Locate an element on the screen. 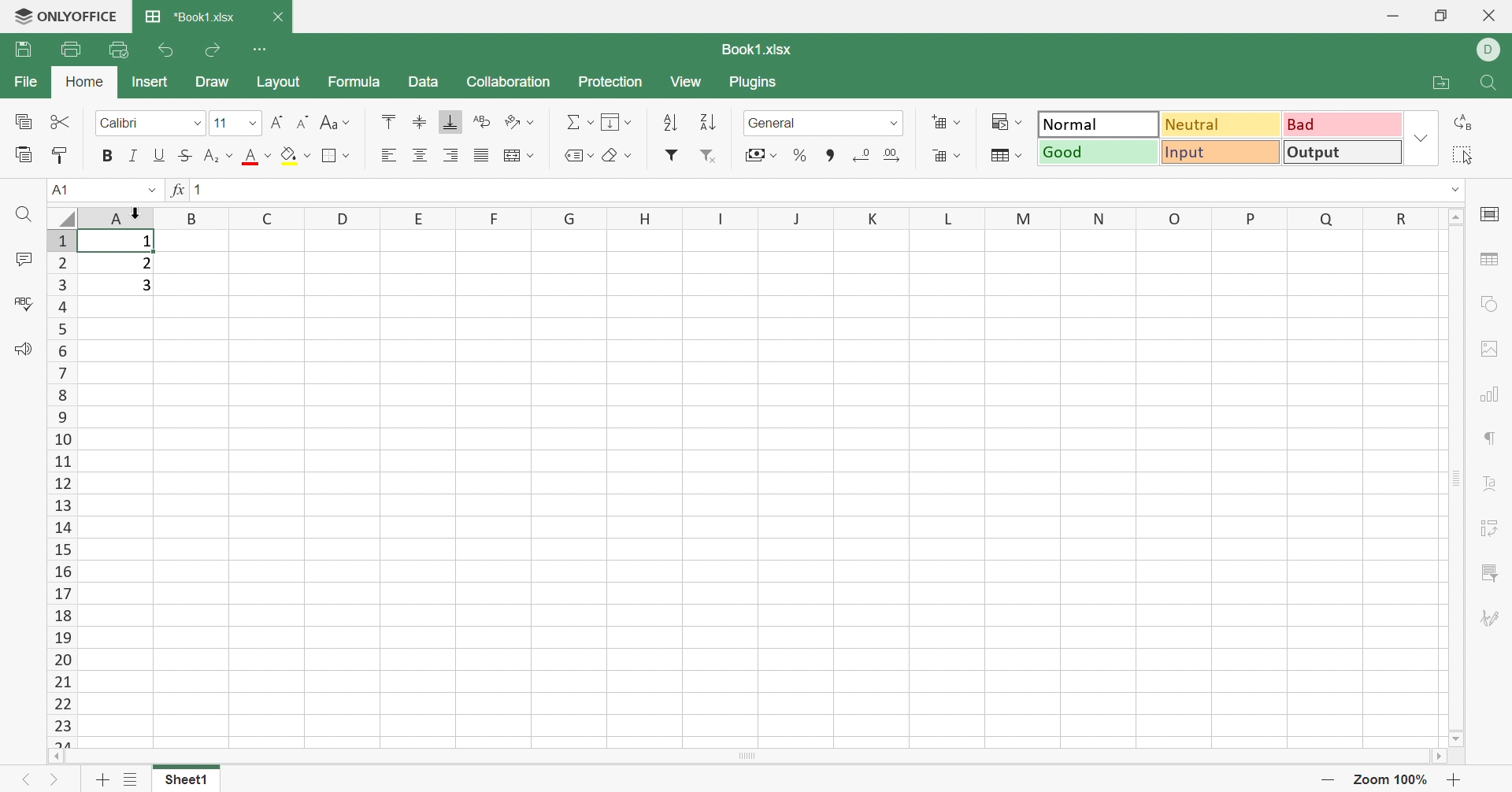 The height and width of the screenshot is (792, 1512). Minimize is located at coordinates (1394, 19).